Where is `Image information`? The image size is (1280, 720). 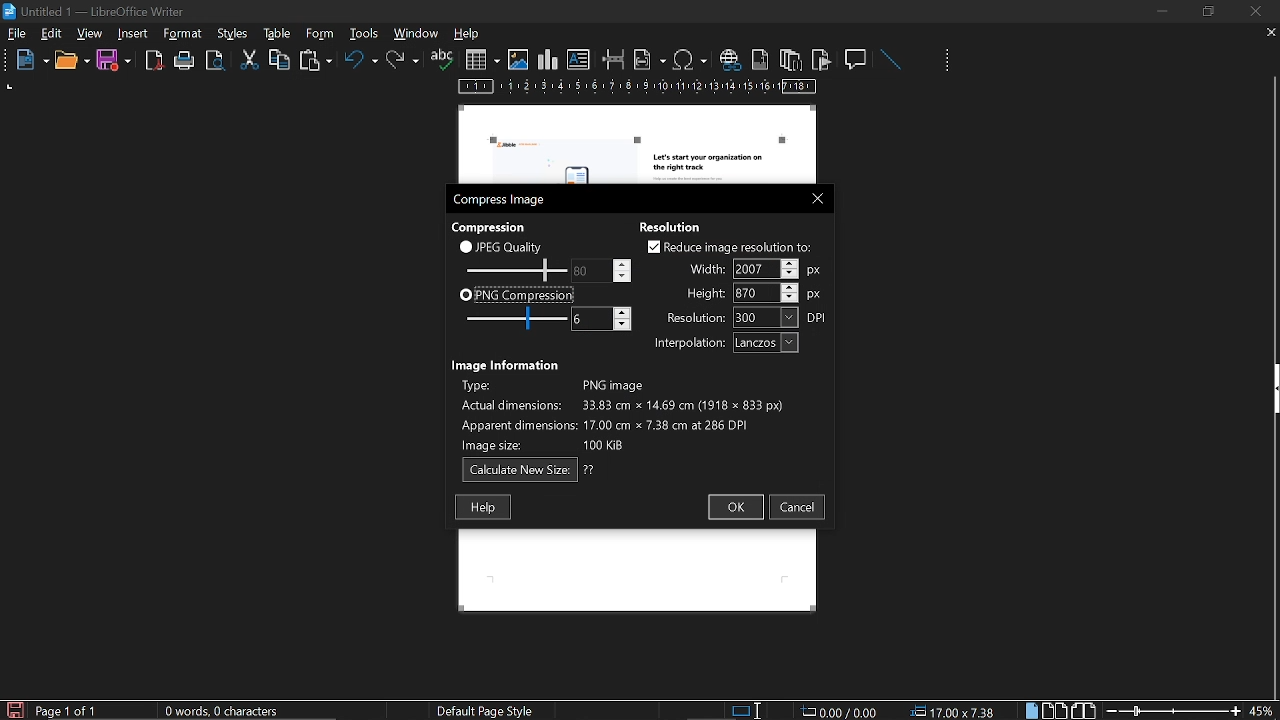 Image information is located at coordinates (508, 363).